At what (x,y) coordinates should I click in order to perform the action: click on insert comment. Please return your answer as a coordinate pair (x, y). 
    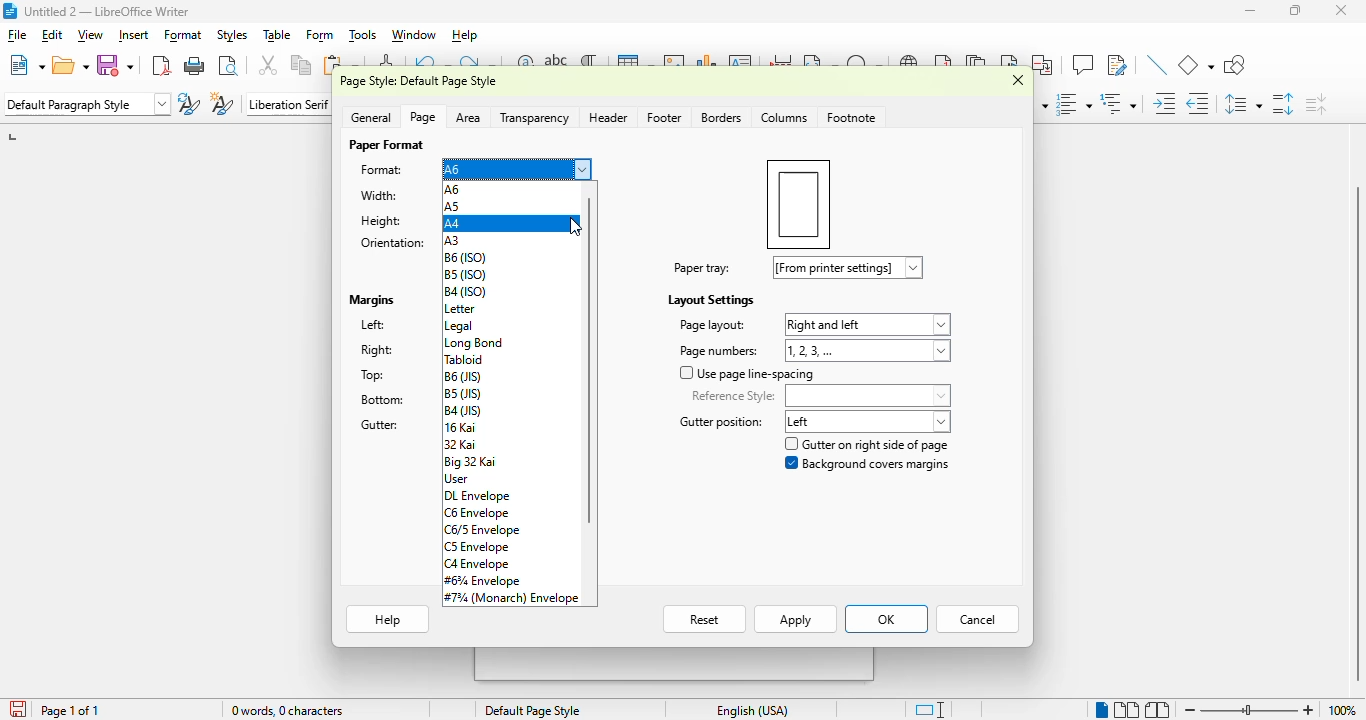
    Looking at the image, I should click on (1083, 64).